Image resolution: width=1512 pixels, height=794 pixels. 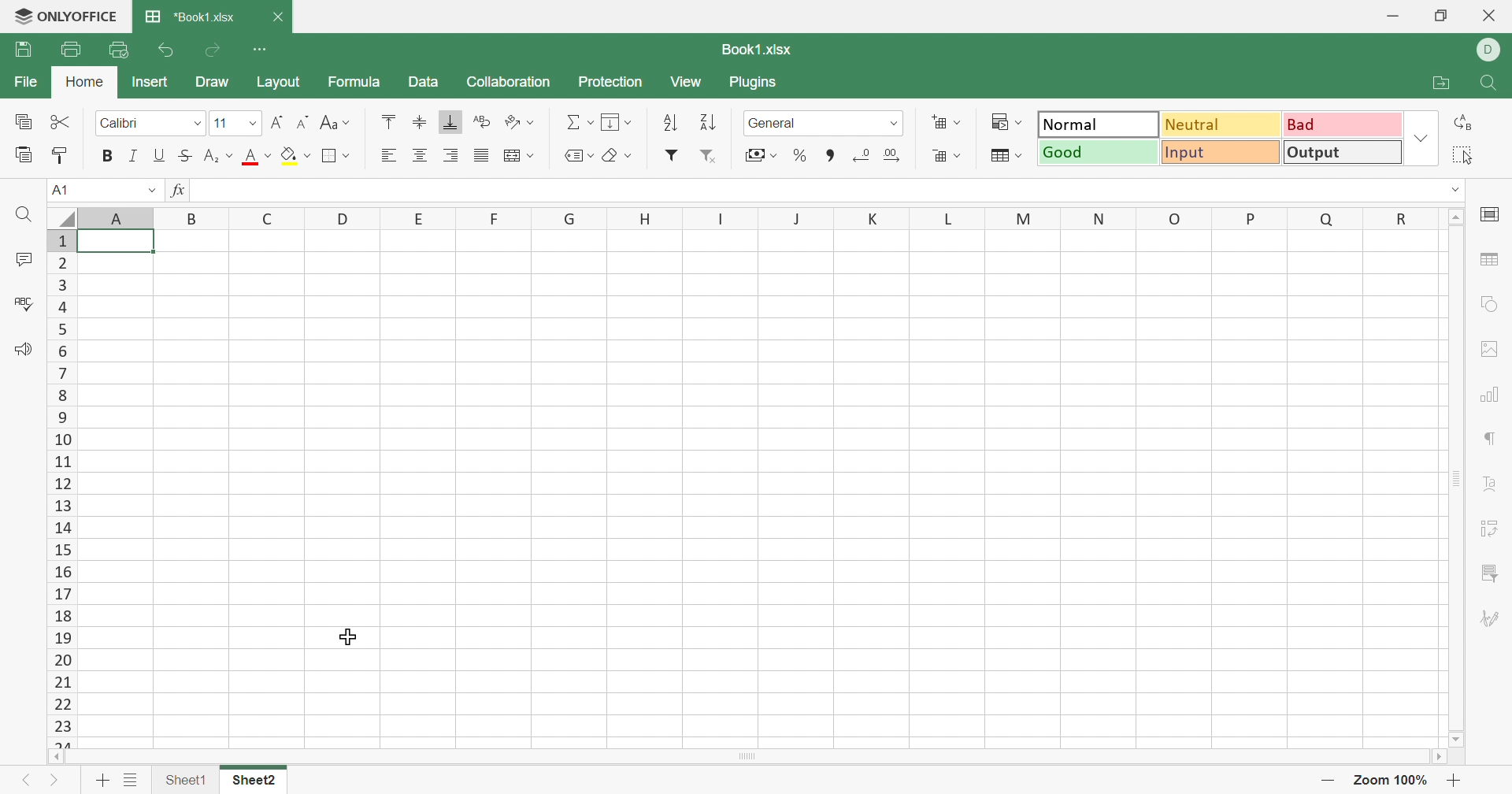 What do you see at coordinates (1456, 217) in the screenshot?
I see `Scroll Up` at bounding box center [1456, 217].